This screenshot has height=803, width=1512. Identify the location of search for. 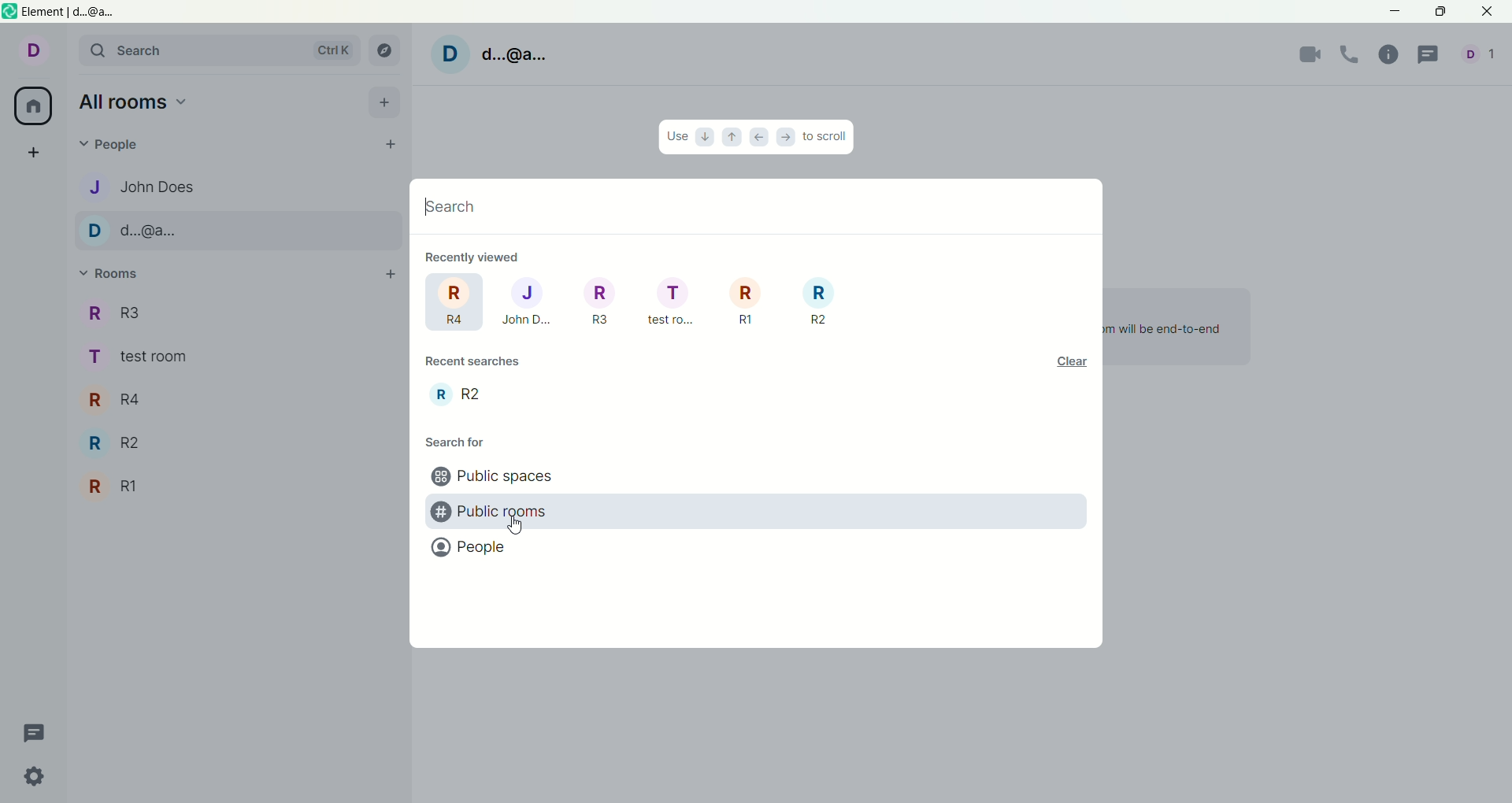
(457, 441).